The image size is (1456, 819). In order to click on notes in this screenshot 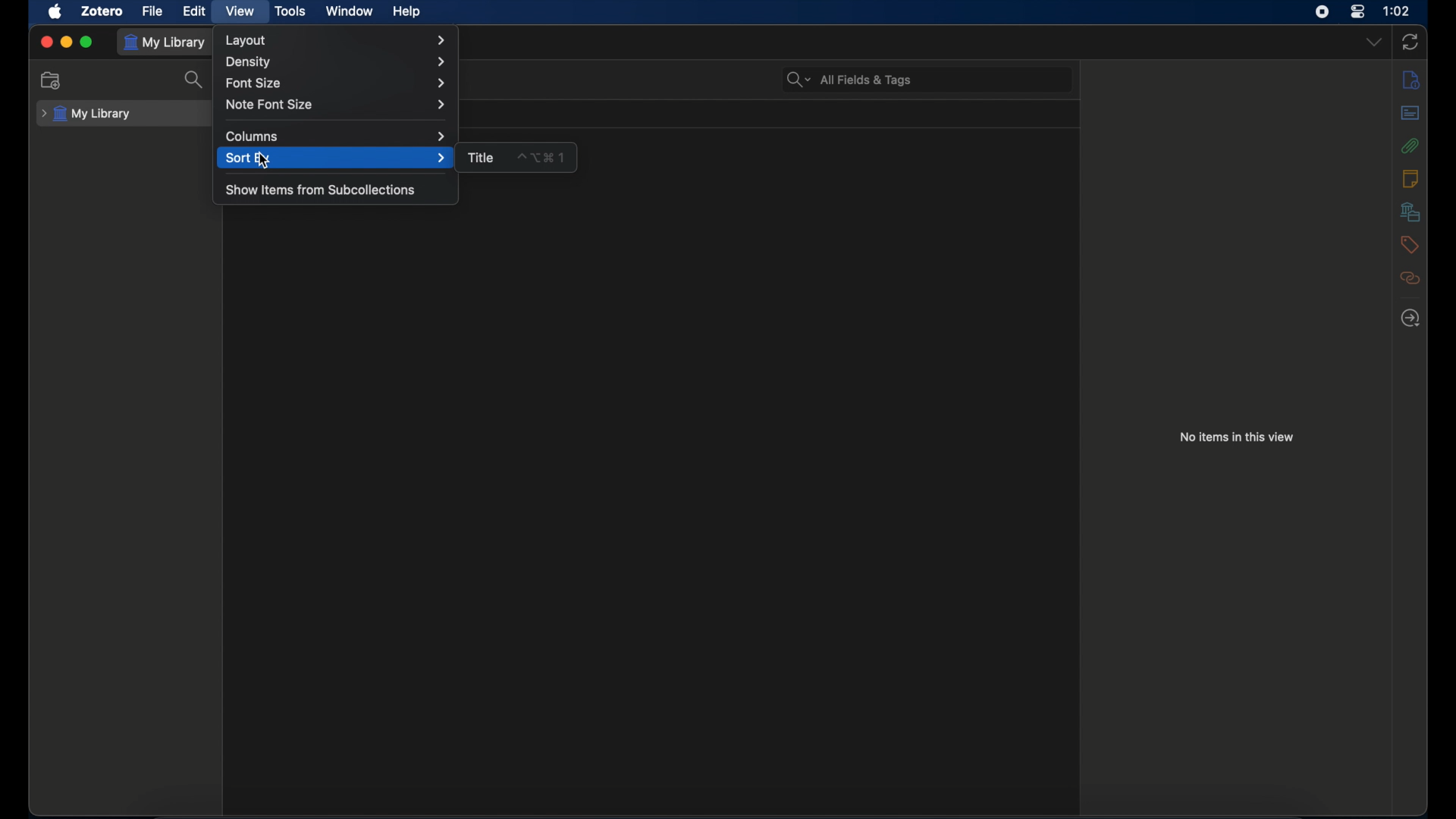, I will do `click(1411, 177)`.